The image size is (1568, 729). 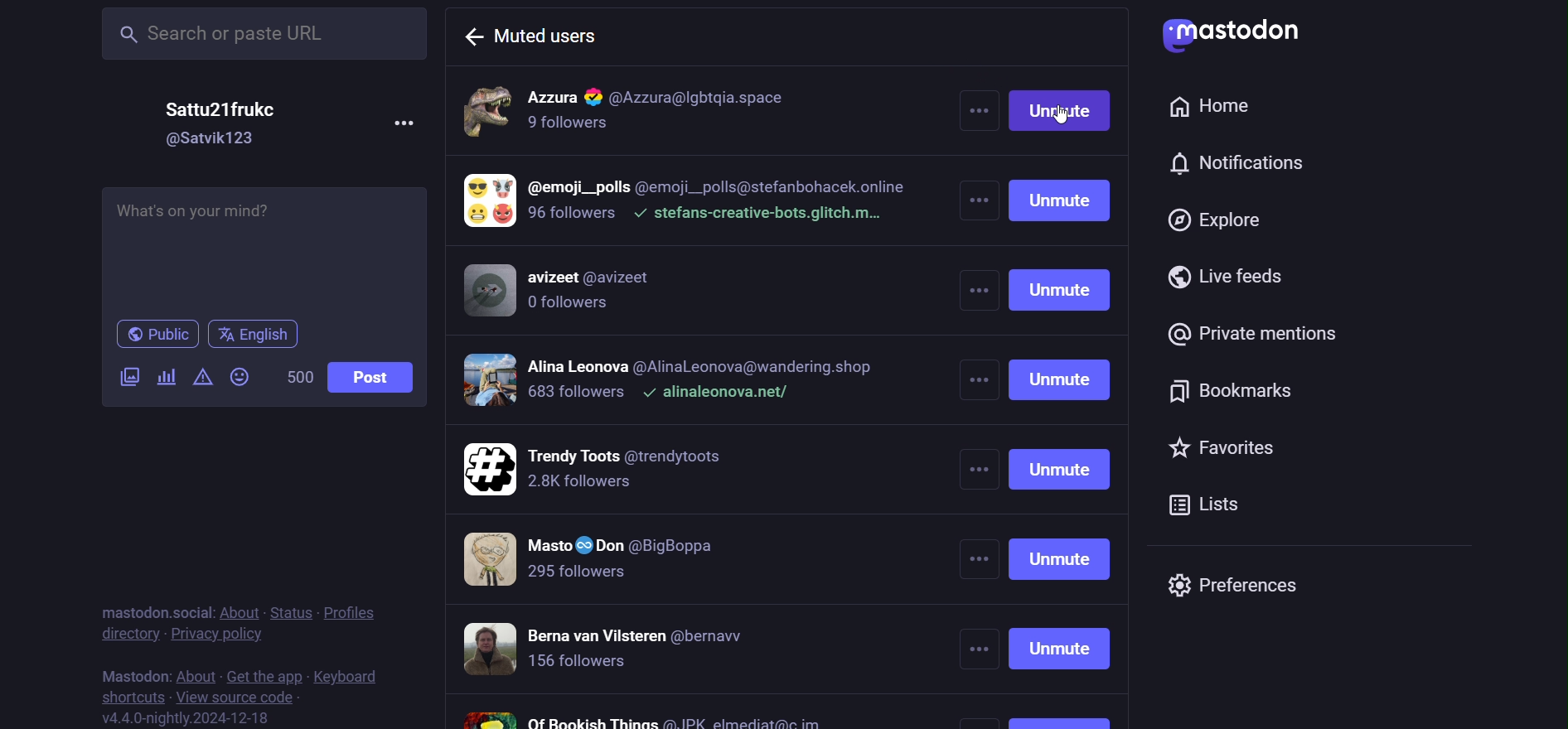 What do you see at coordinates (204, 376) in the screenshot?
I see `content warning` at bounding box center [204, 376].